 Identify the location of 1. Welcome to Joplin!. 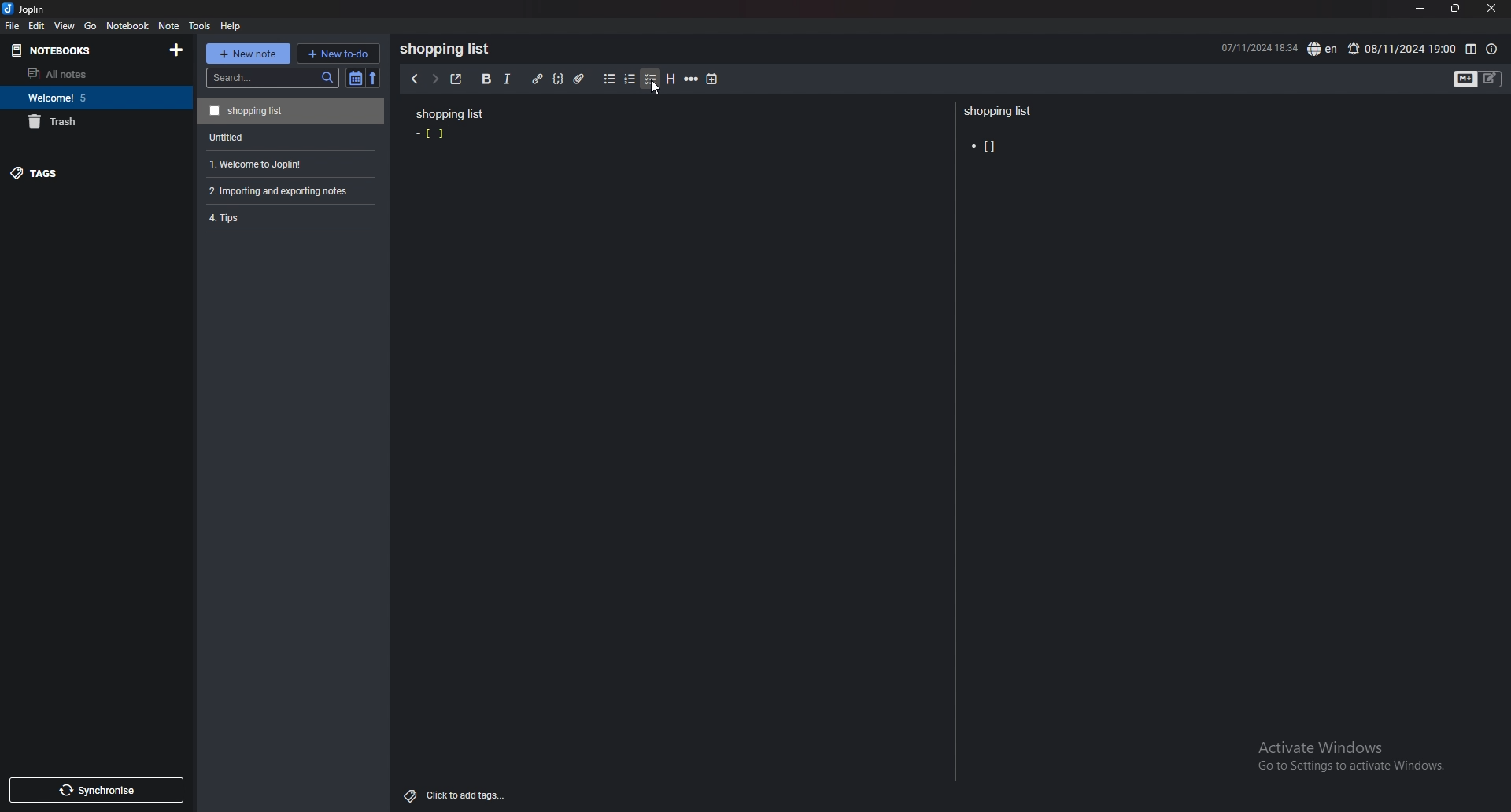
(287, 162).